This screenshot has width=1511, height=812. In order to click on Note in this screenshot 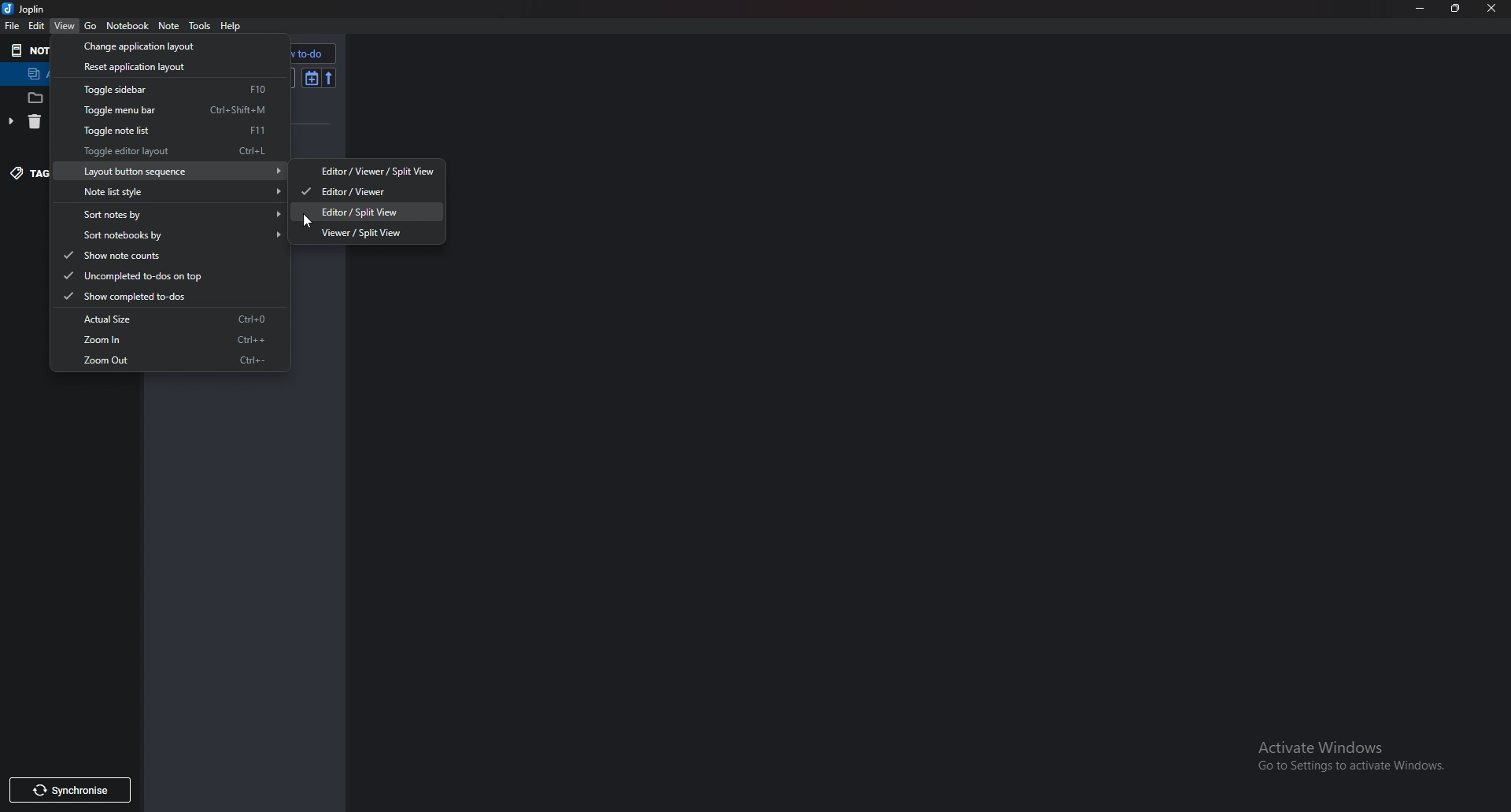, I will do `click(169, 26)`.